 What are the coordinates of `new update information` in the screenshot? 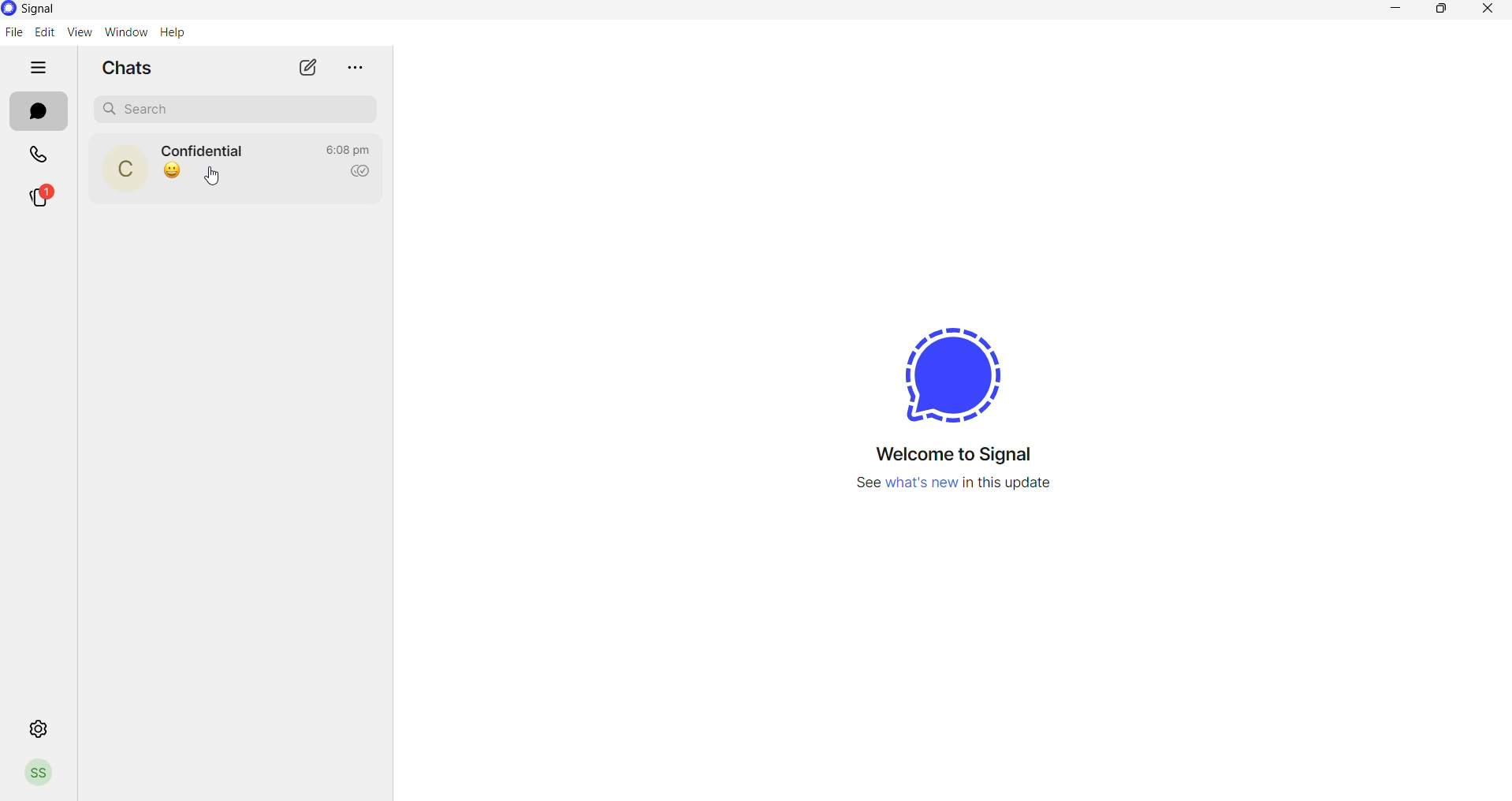 It's located at (963, 485).